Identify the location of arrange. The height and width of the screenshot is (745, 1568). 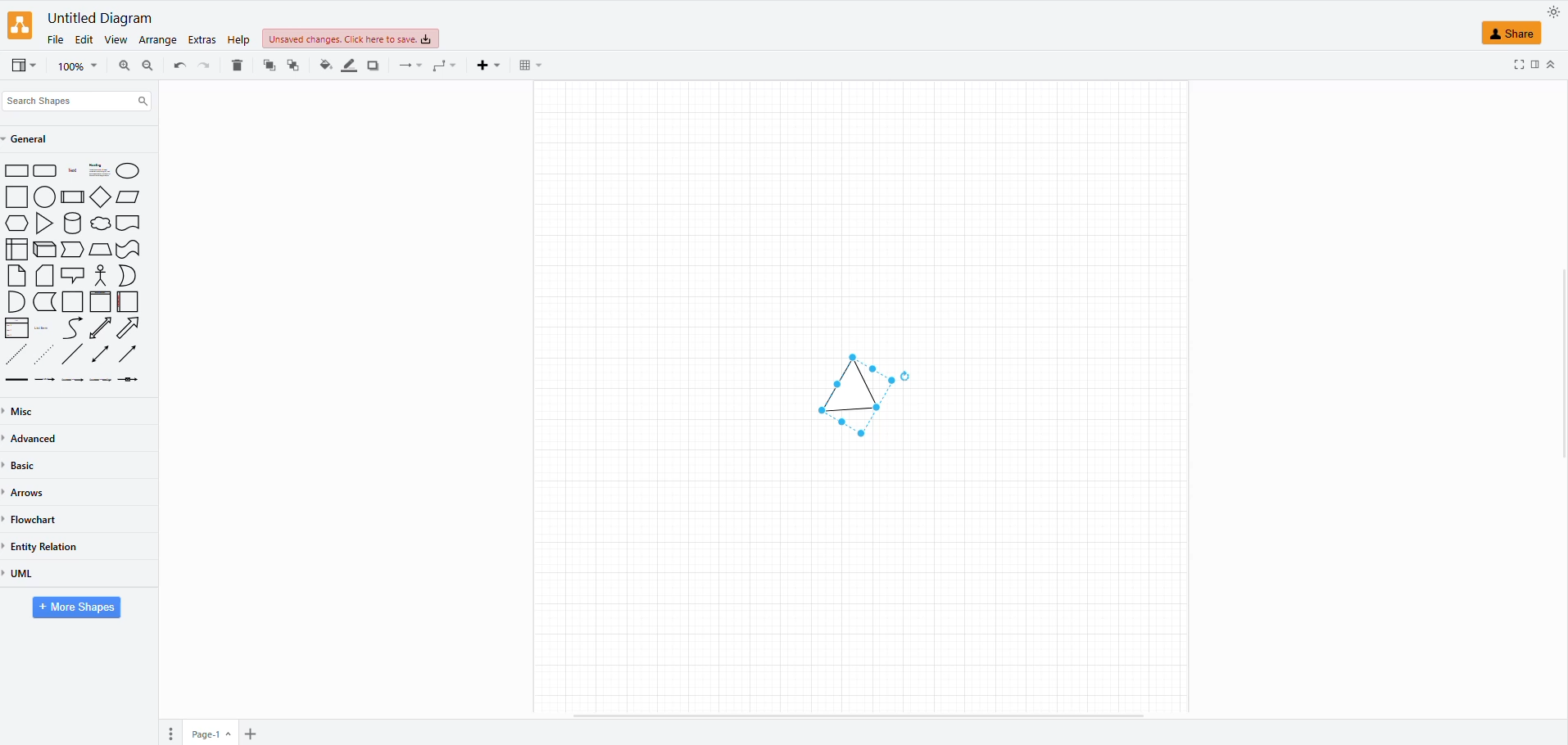
(157, 38).